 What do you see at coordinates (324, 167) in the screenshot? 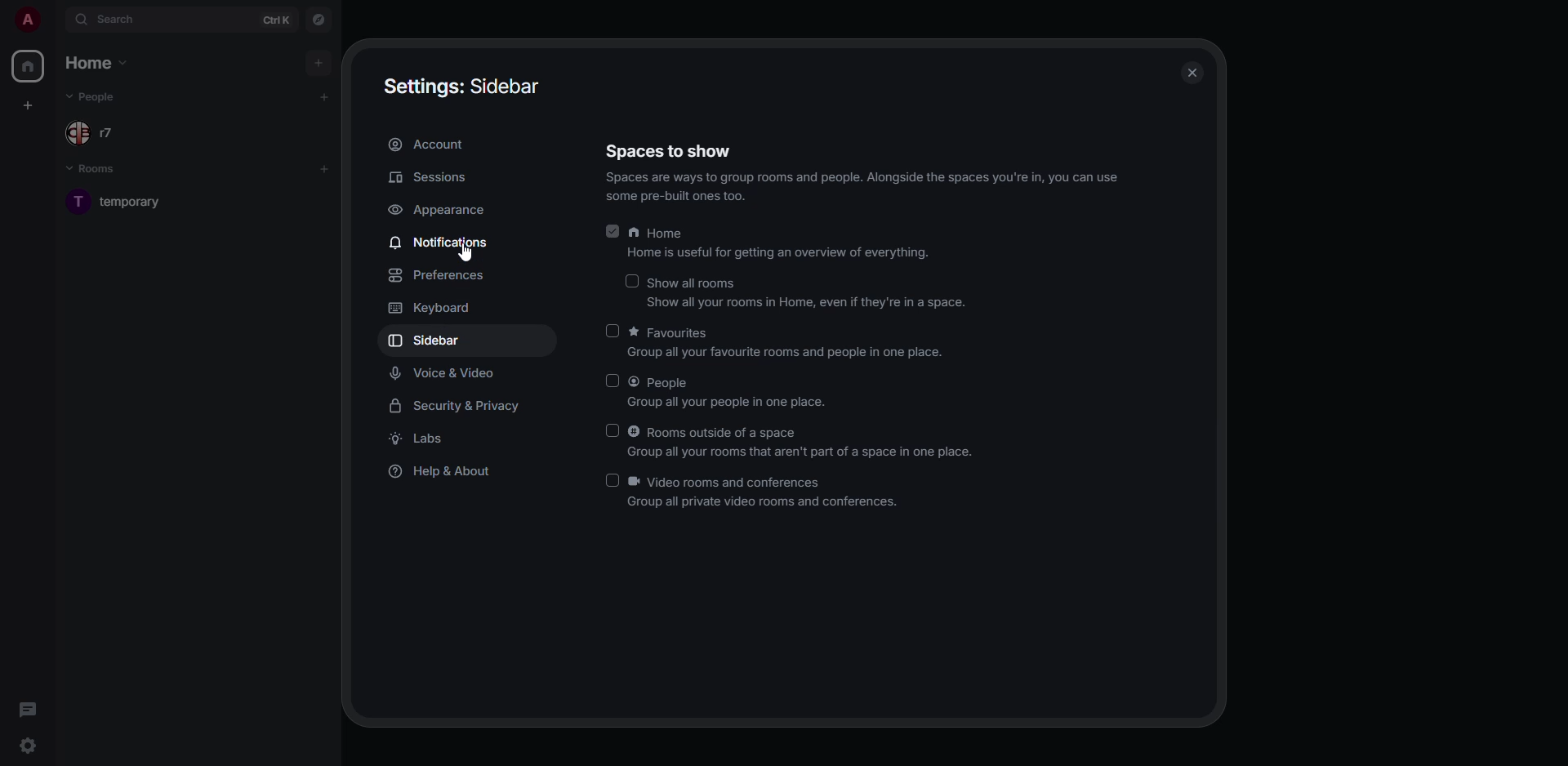
I see `add` at bounding box center [324, 167].